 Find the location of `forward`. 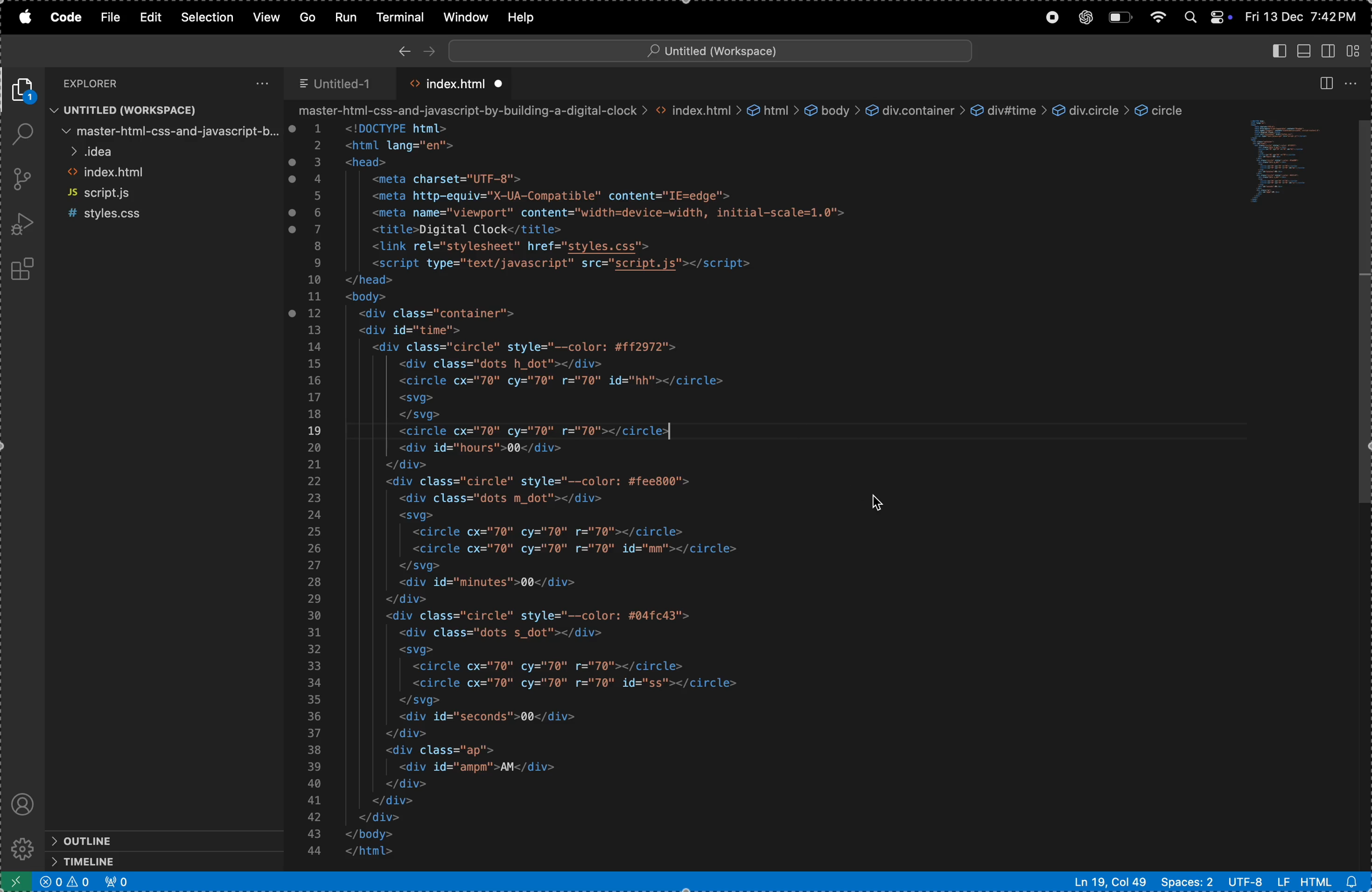

forward is located at coordinates (427, 48).